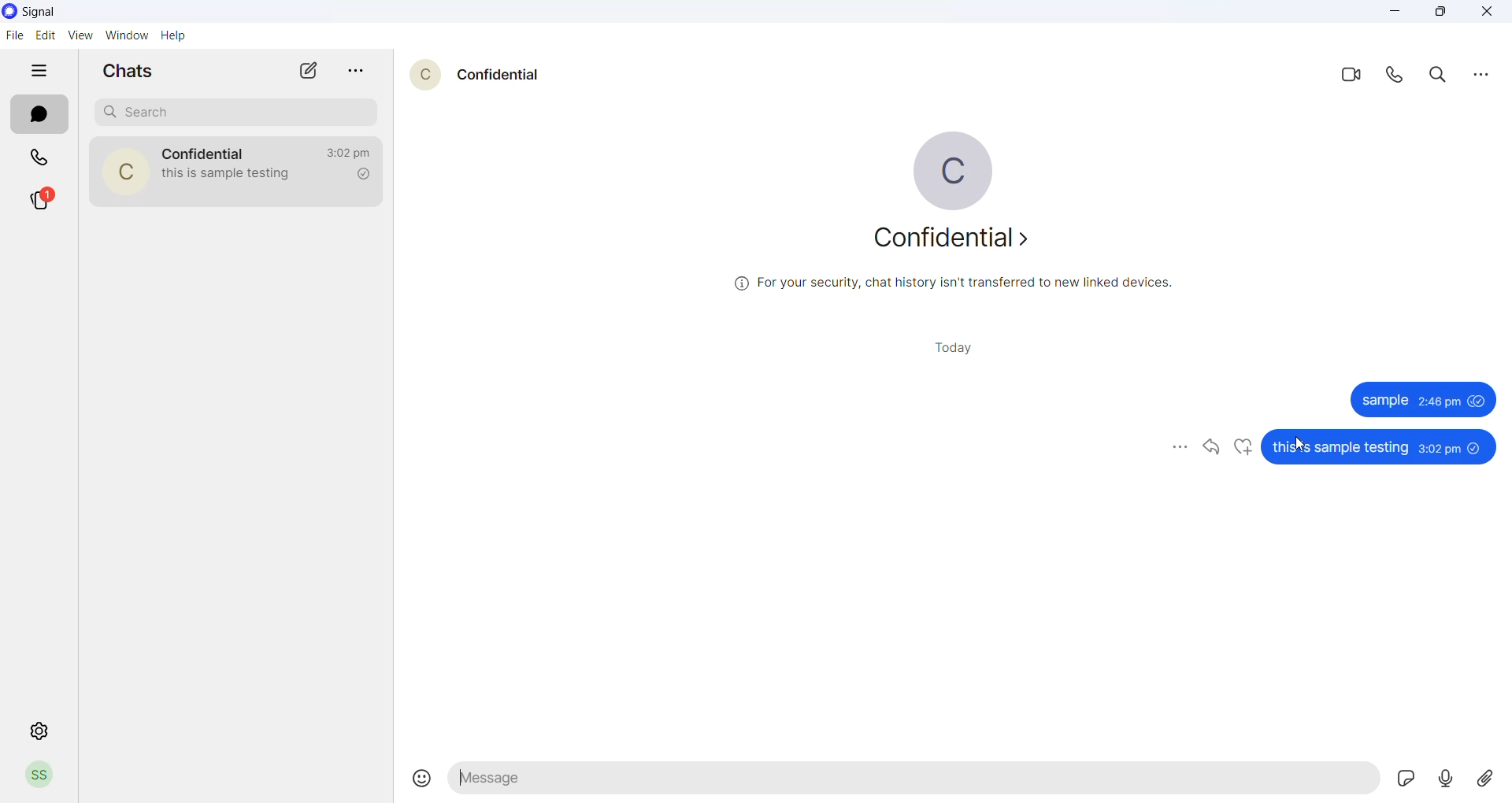  What do you see at coordinates (1425, 399) in the screenshot?
I see `messages` at bounding box center [1425, 399].